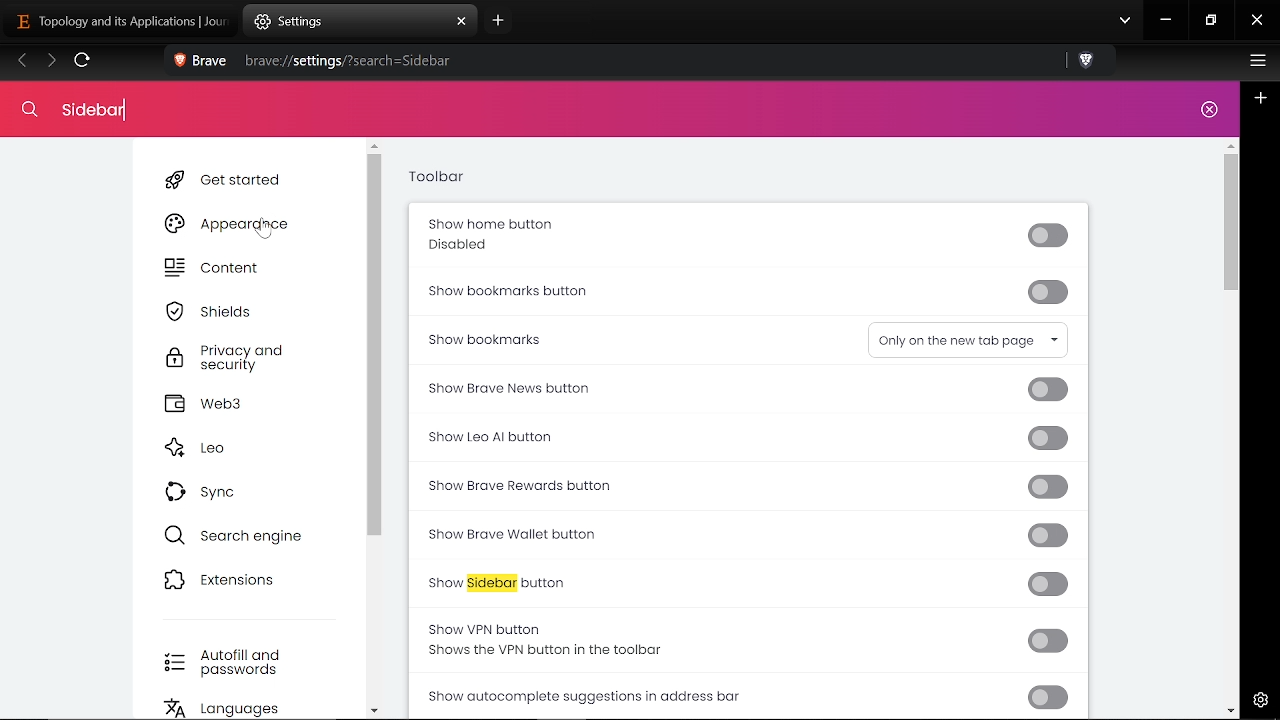  What do you see at coordinates (462, 22) in the screenshot?
I see `Close settings tab` at bounding box center [462, 22].